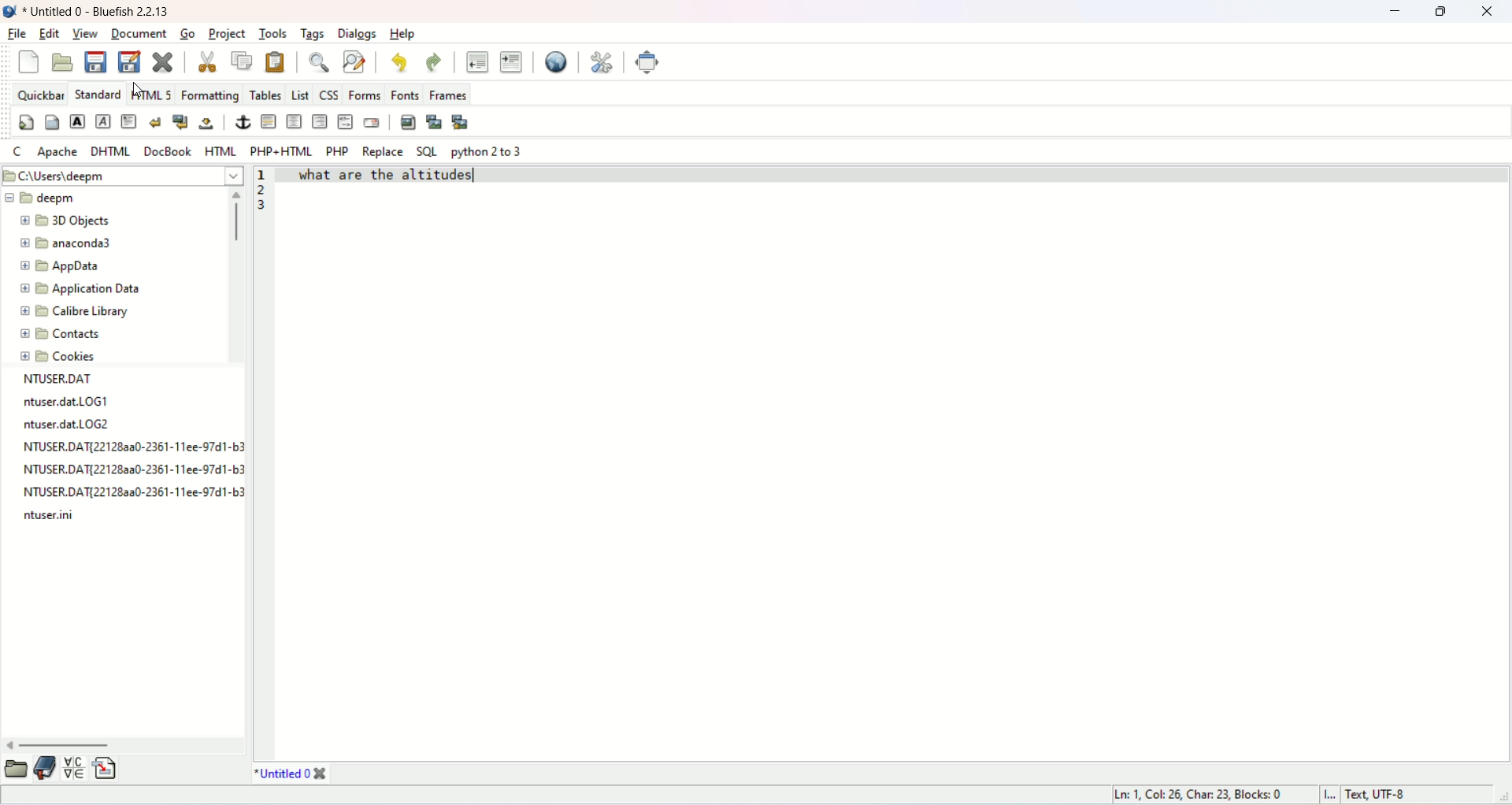 This screenshot has height=805, width=1512. I want to click on insert special character, so click(74, 766).